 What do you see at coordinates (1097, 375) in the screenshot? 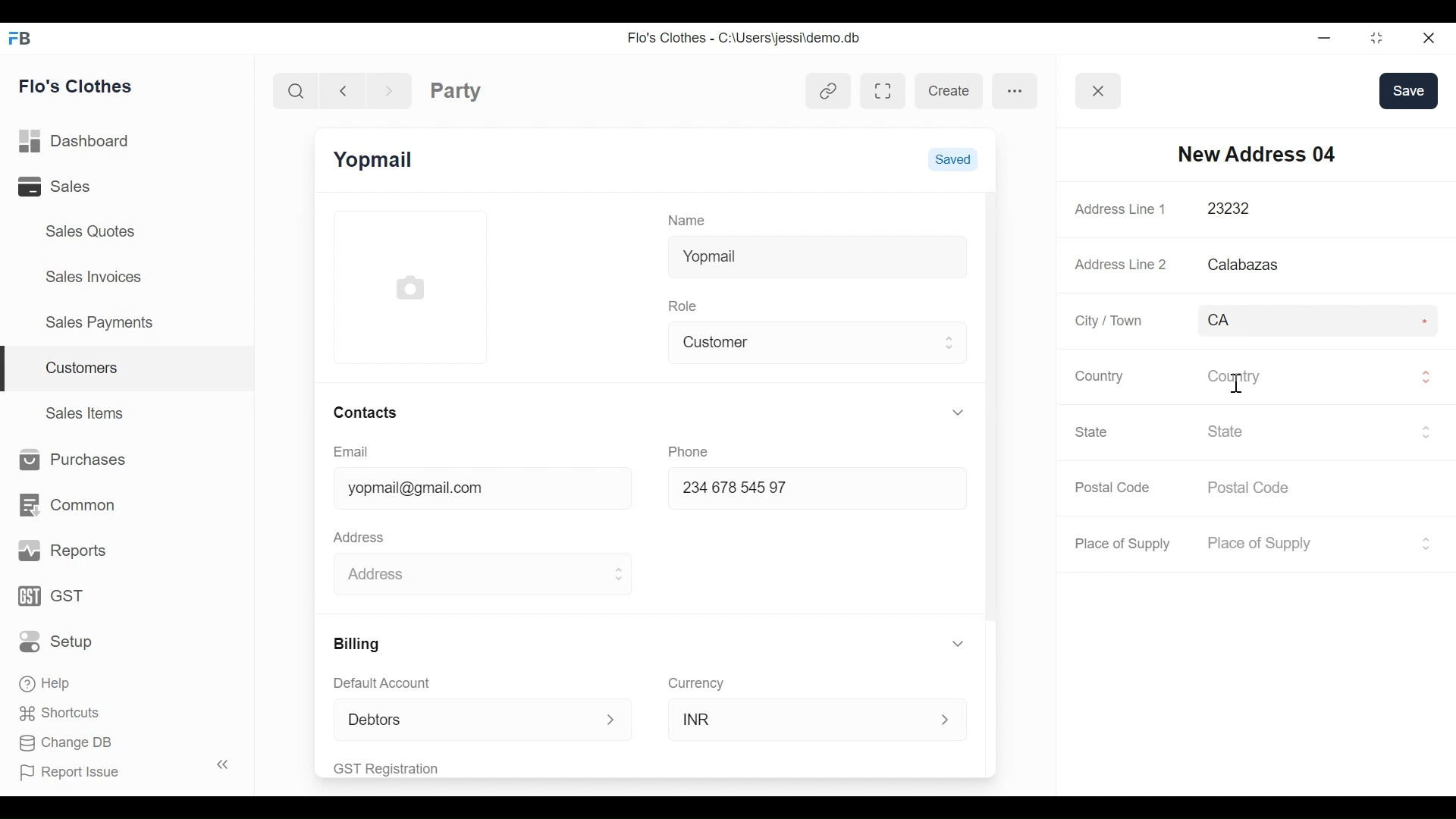
I see `Country` at bounding box center [1097, 375].